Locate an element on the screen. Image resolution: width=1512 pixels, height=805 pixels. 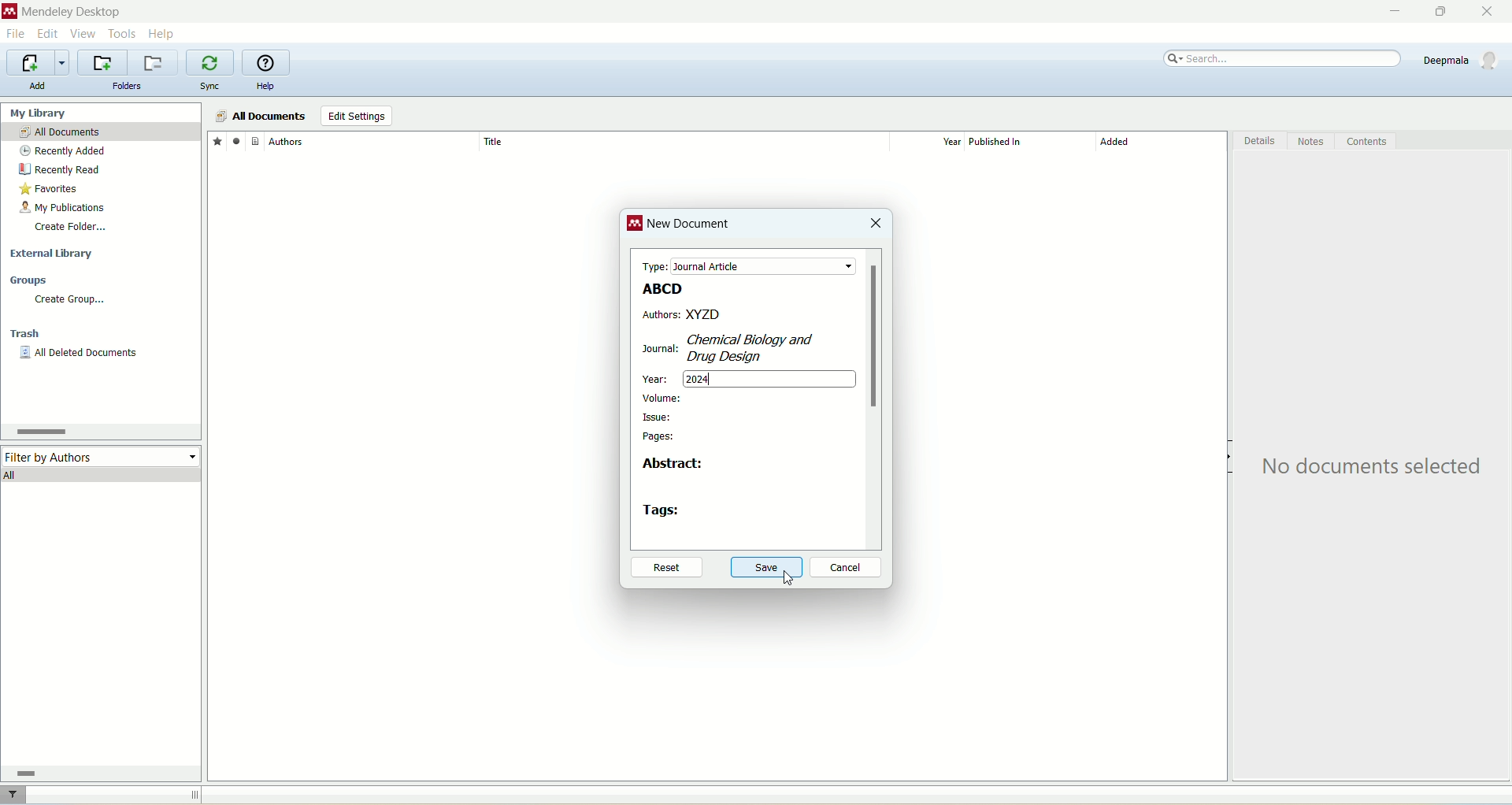
notes is located at coordinates (1313, 142).